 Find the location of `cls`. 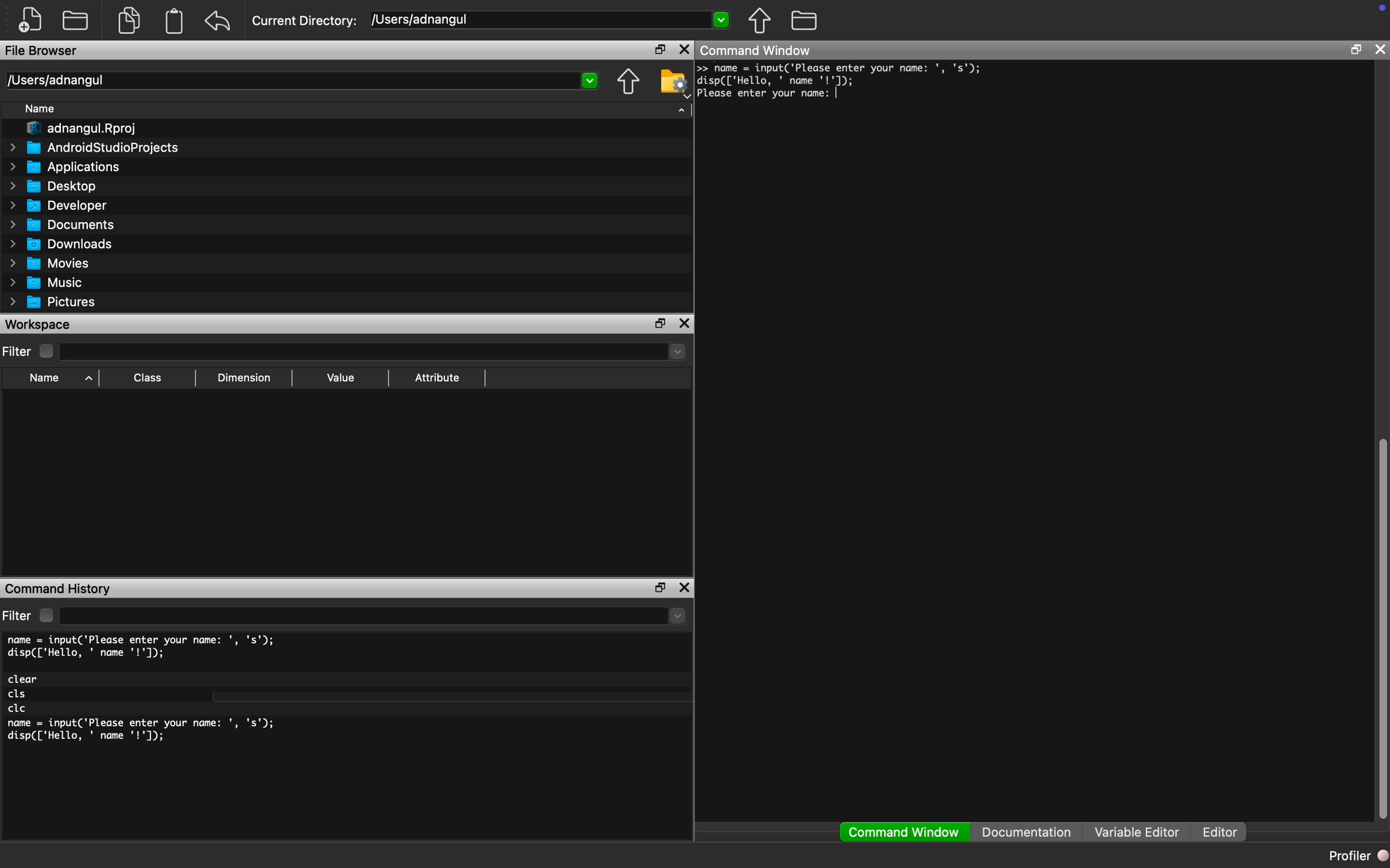

cls is located at coordinates (18, 695).